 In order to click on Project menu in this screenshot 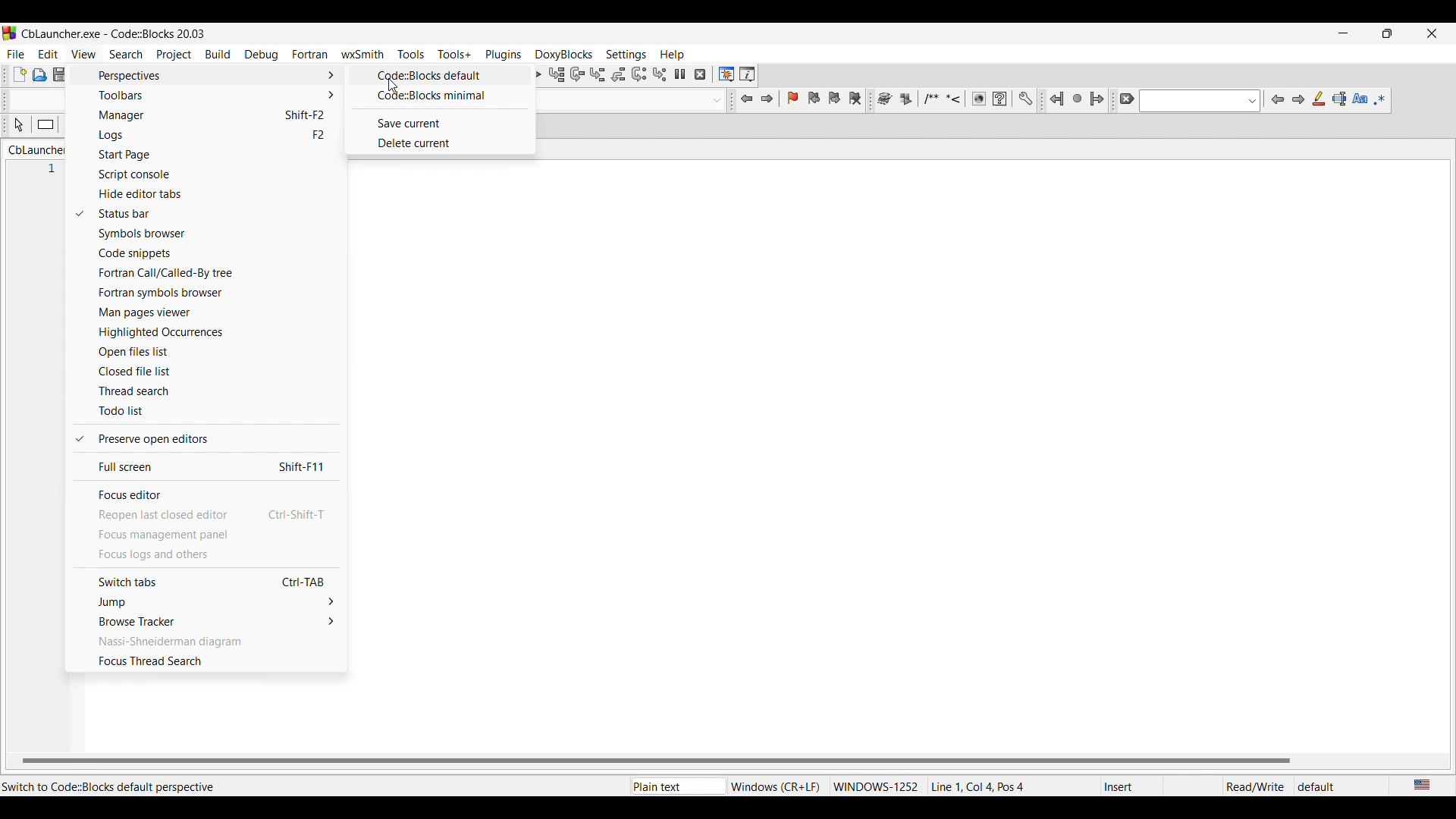, I will do `click(174, 55)`.